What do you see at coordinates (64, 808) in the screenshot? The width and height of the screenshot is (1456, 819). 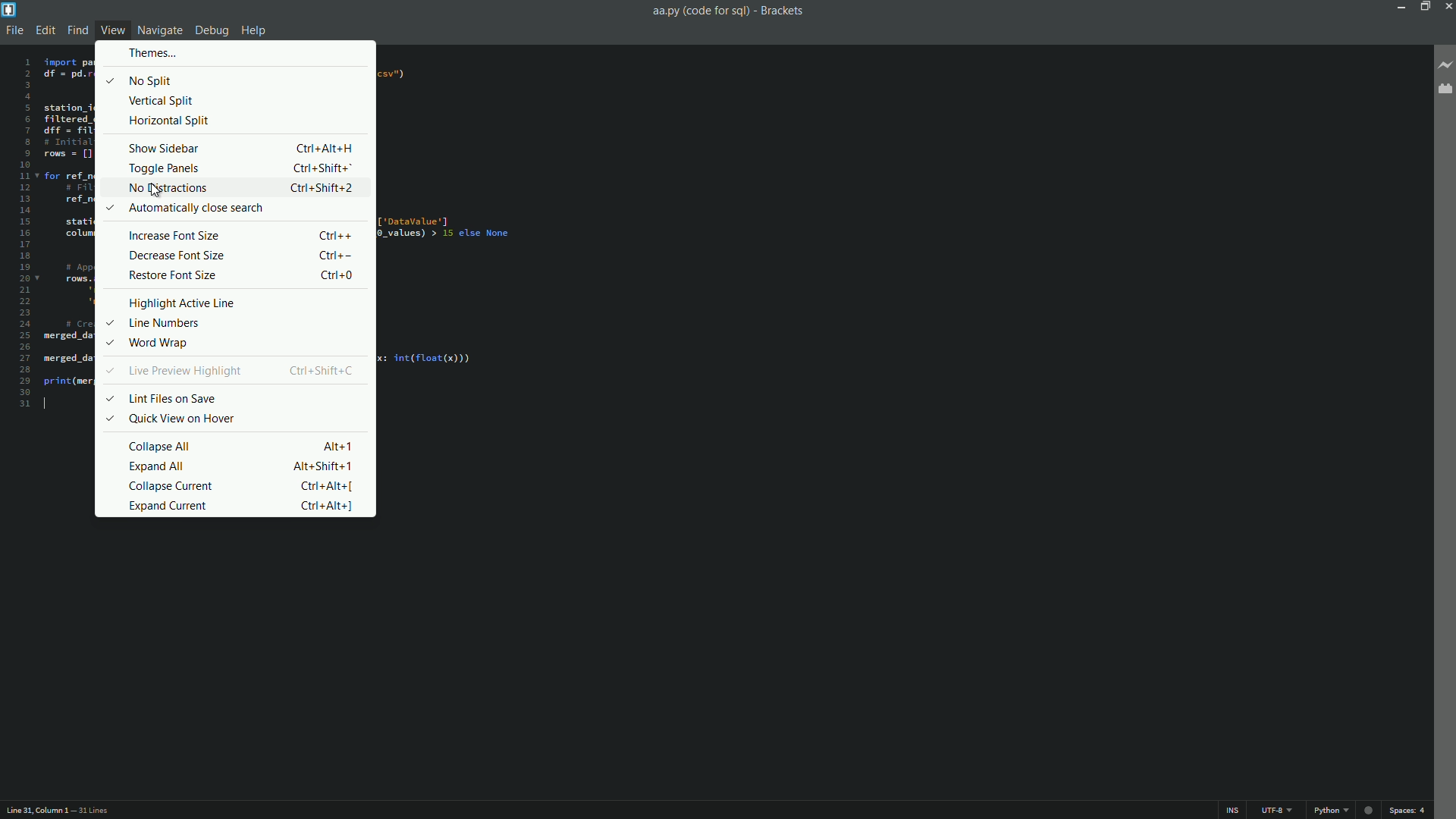 I see `Line31, Column 1 — 31 Lines.` at bounding box center [64, 808].